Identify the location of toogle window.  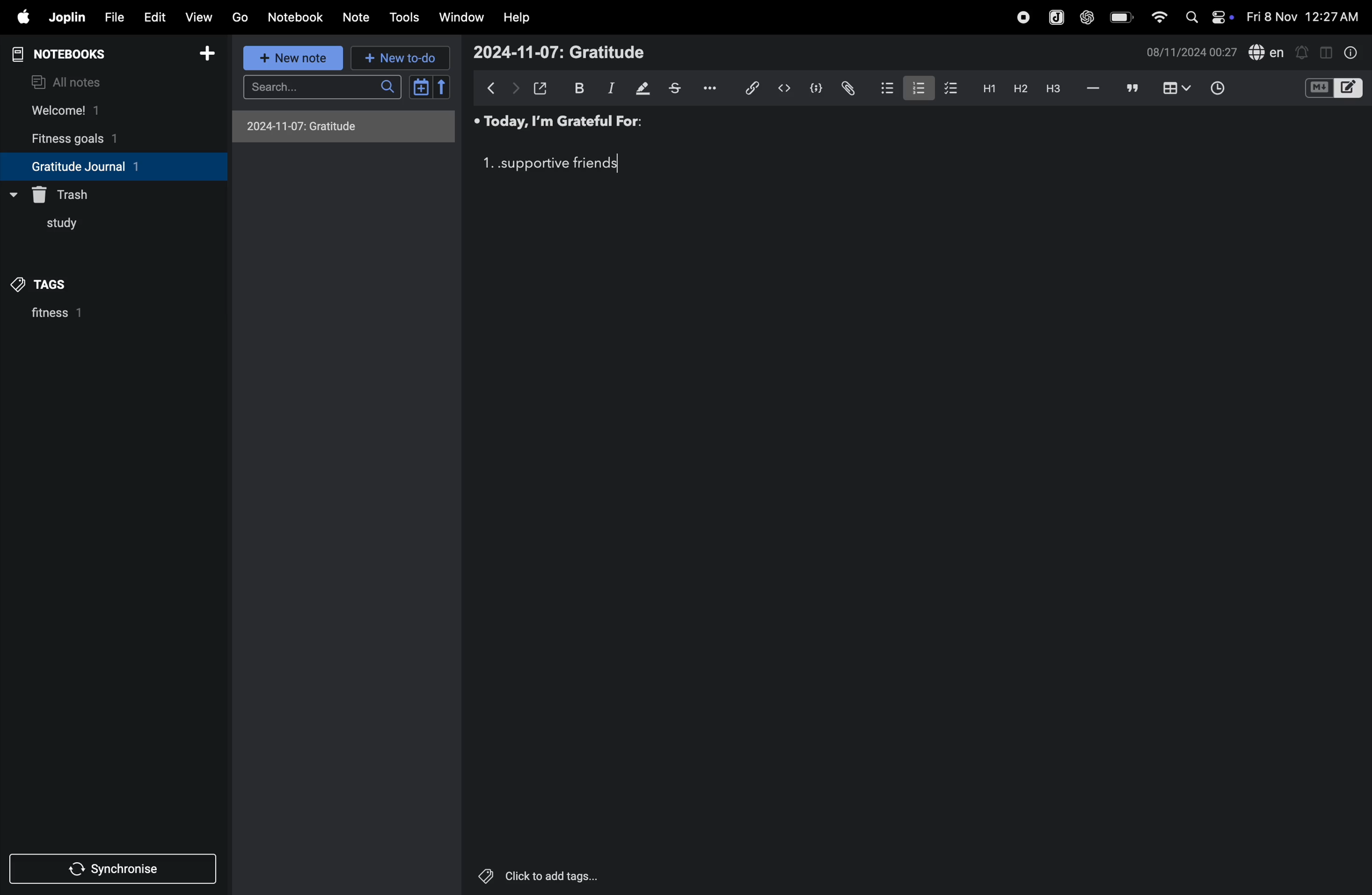
(1326, 51).